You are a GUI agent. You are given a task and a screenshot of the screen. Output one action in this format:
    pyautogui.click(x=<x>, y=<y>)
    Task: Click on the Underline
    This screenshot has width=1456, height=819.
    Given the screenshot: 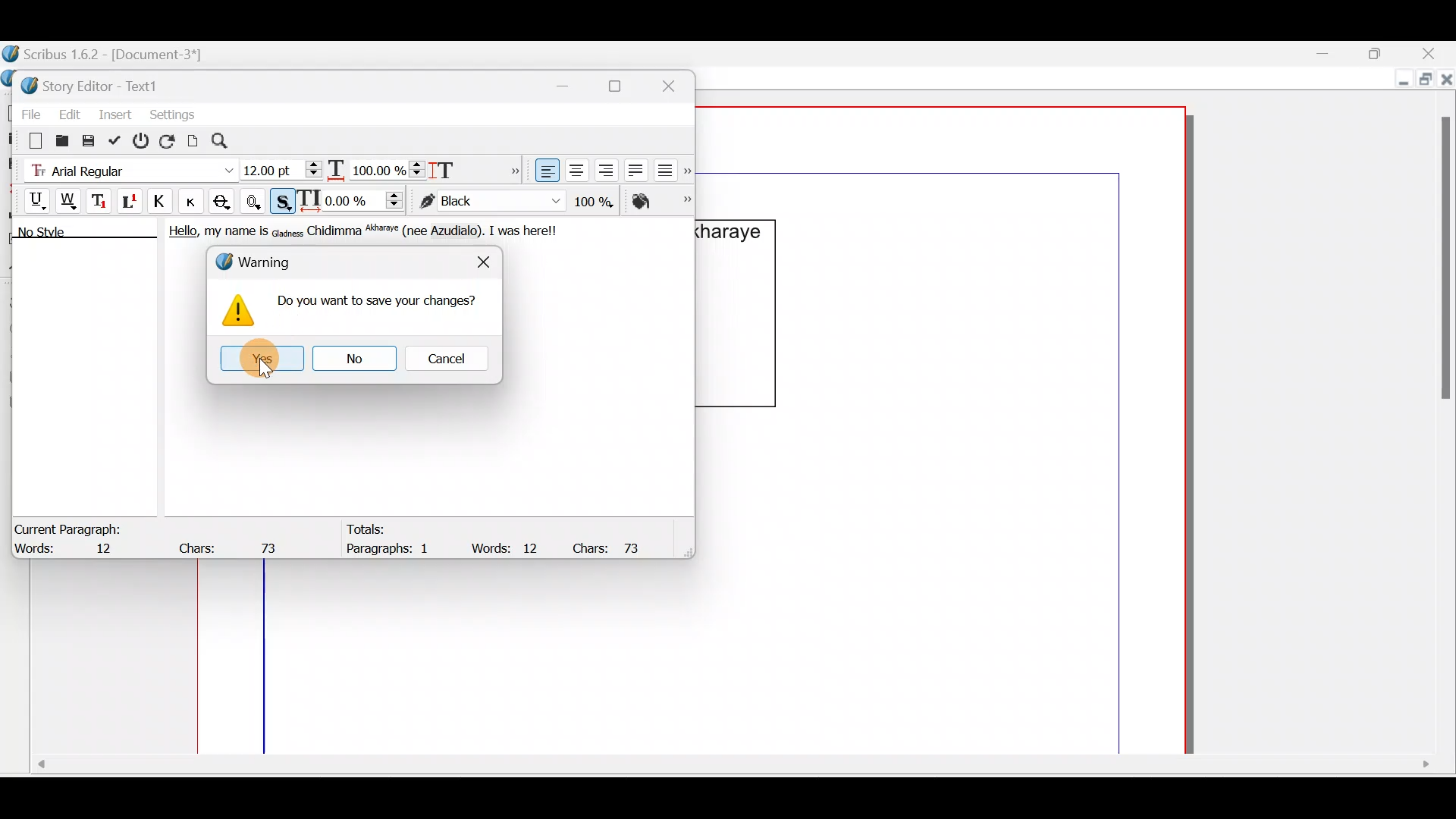 What is the action you would take?
    pyautogui.click(x=30, y=199)
    